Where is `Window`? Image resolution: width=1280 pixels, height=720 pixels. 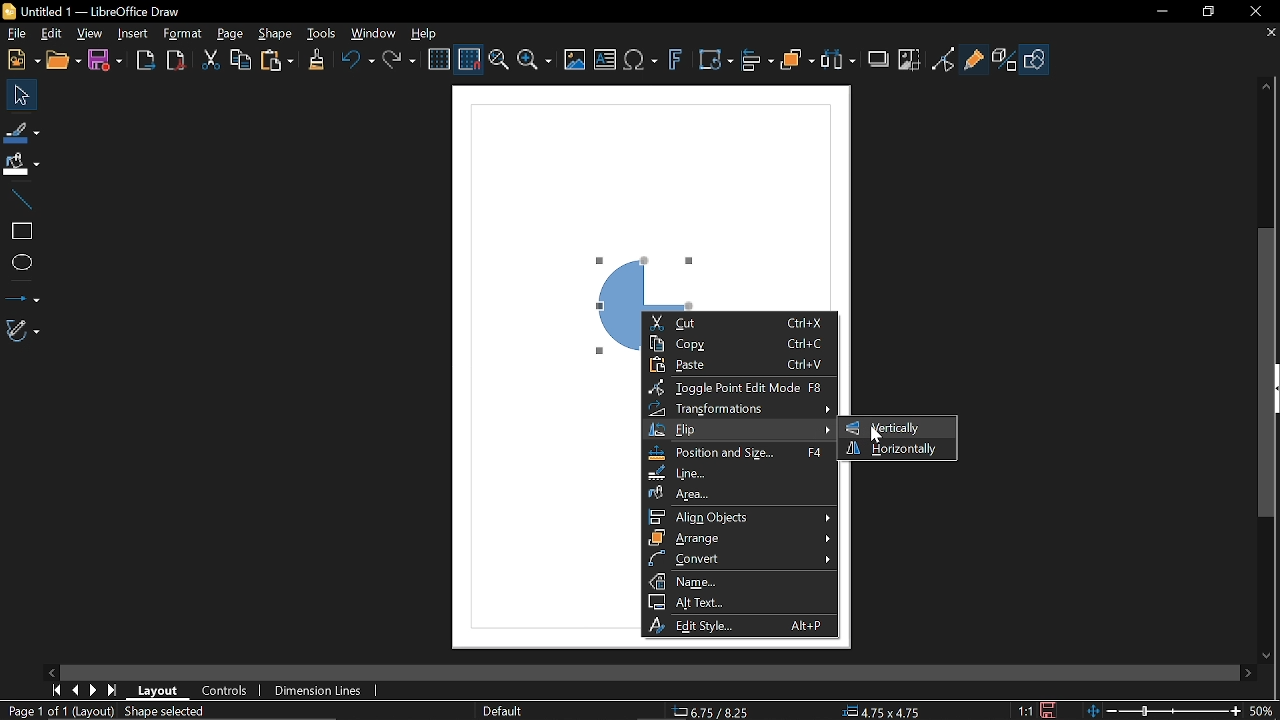 Window is located at coordinates (374, 33).